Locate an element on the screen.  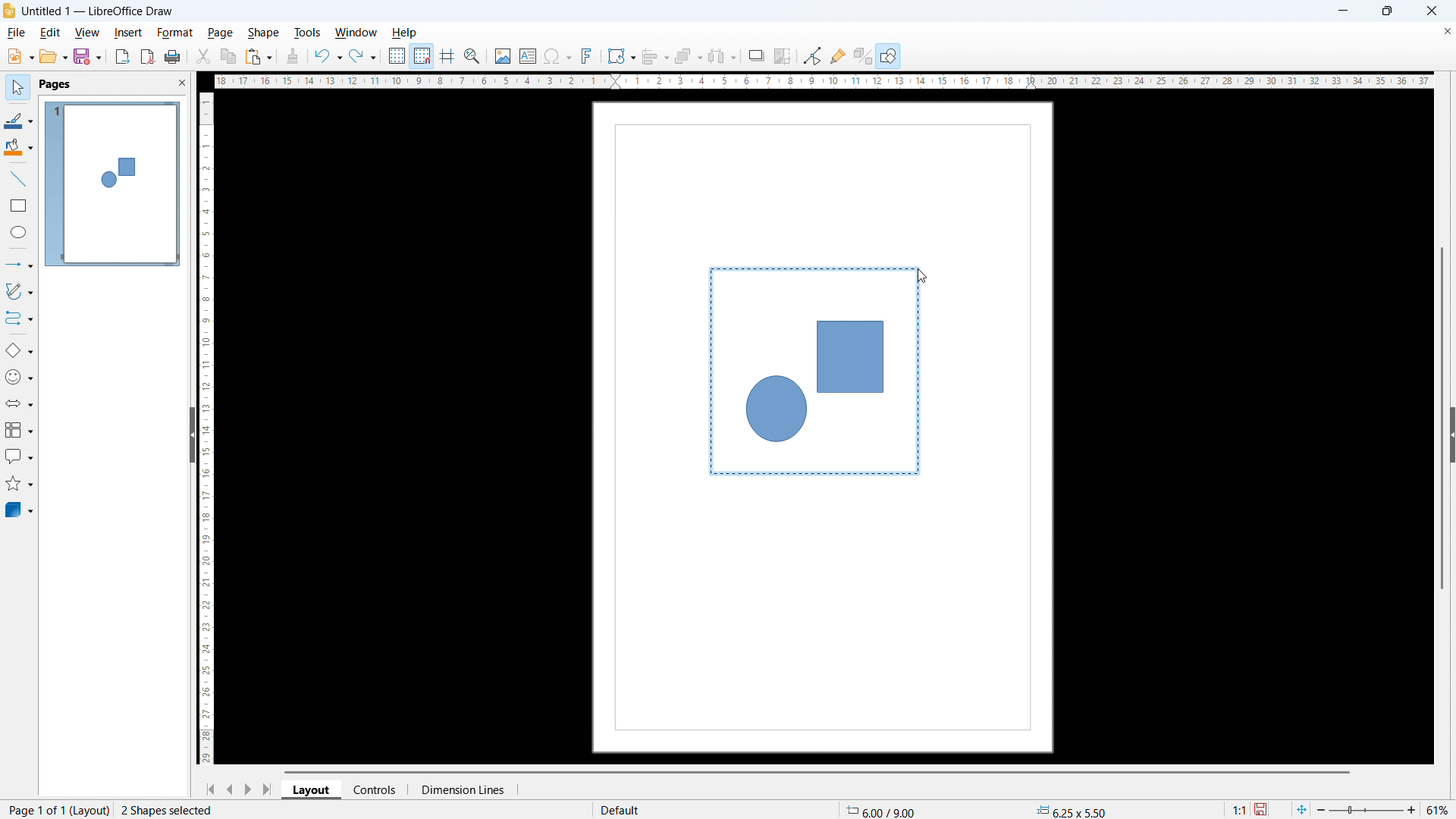
curves & polygons is located at coordinates (20, 291).